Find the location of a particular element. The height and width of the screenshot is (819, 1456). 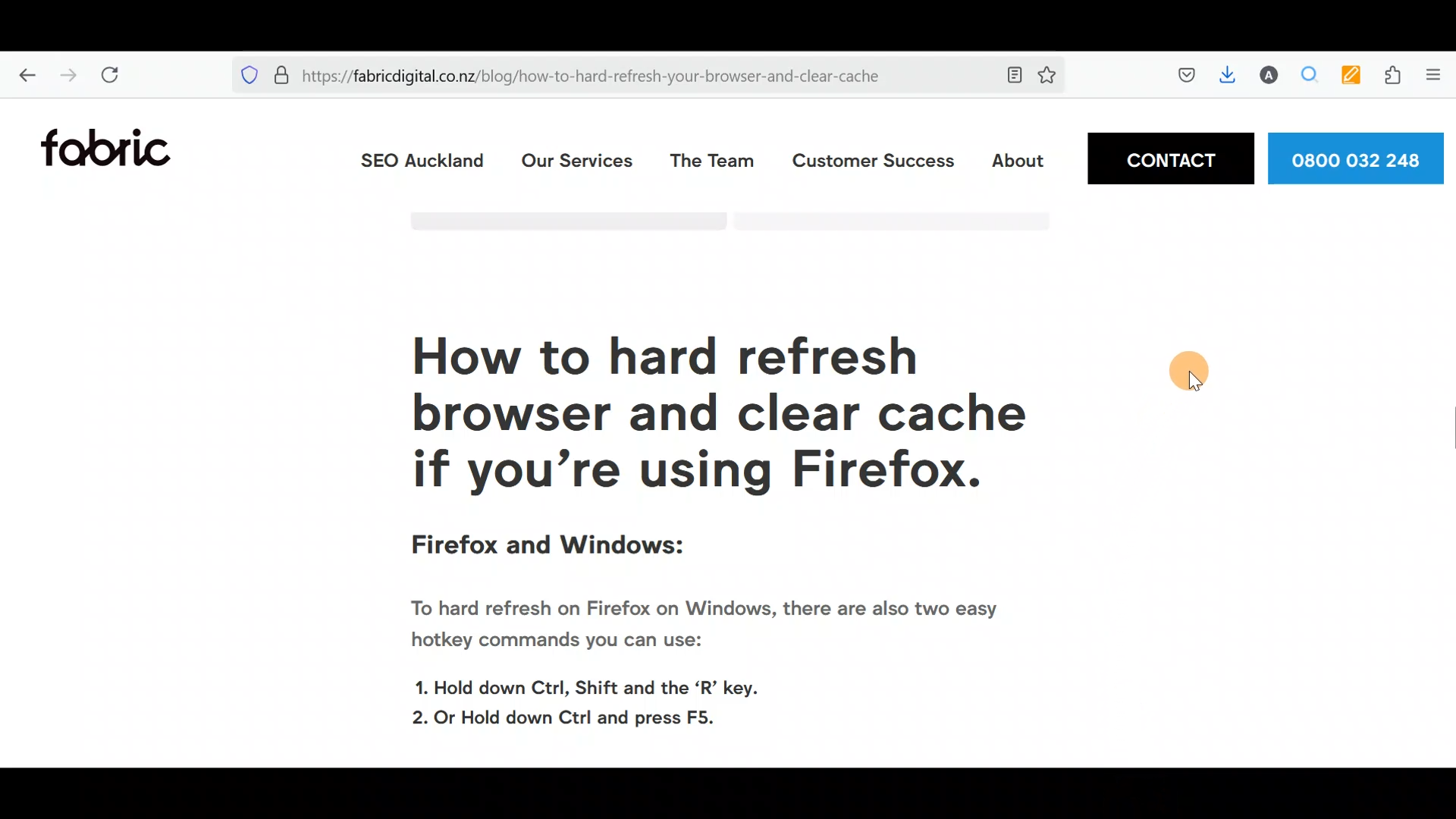

Customer Success is located at coordinates (873, 165).